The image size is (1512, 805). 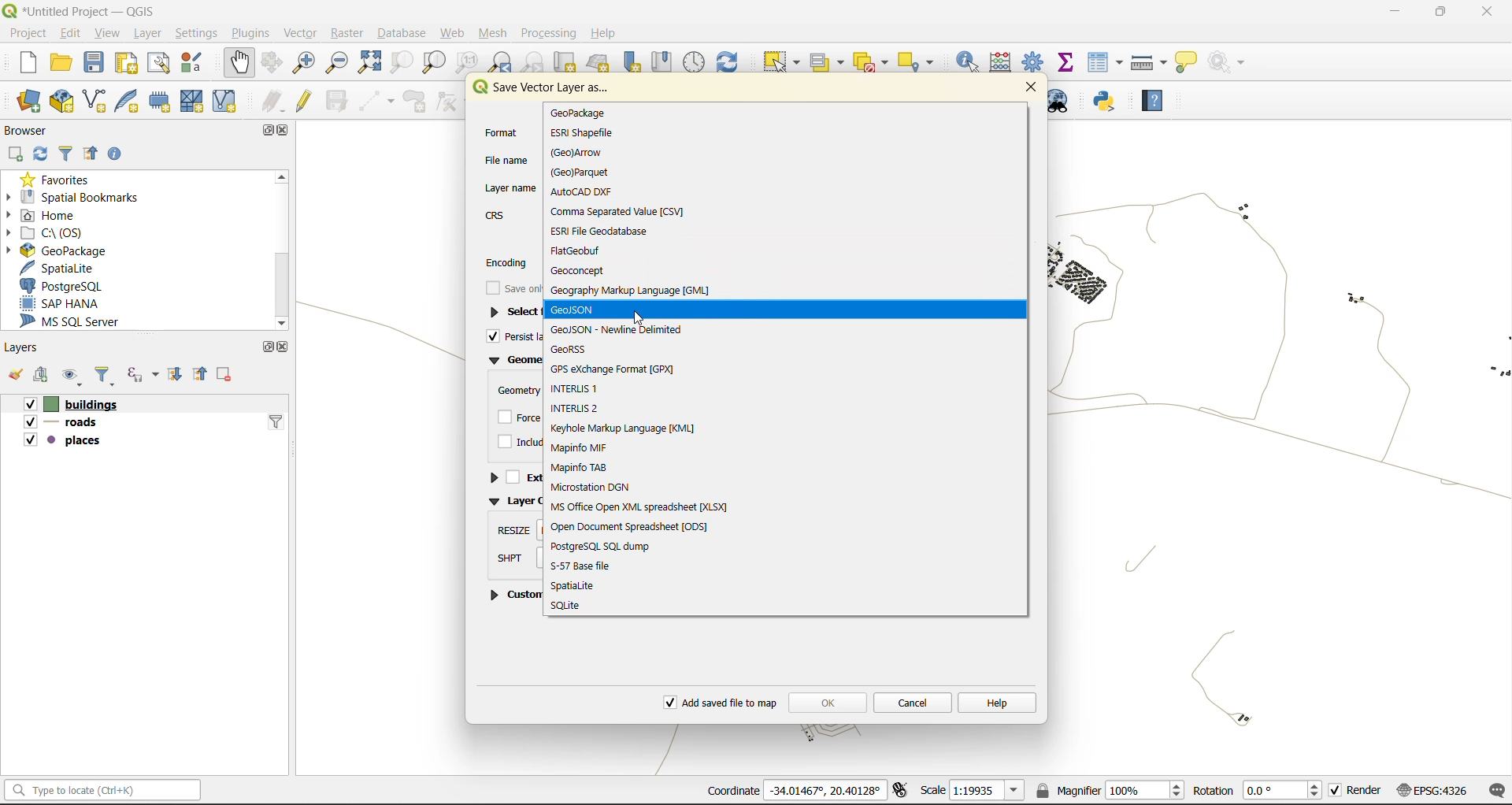 I want to click on ms sql server, so click(x=76, y=321).